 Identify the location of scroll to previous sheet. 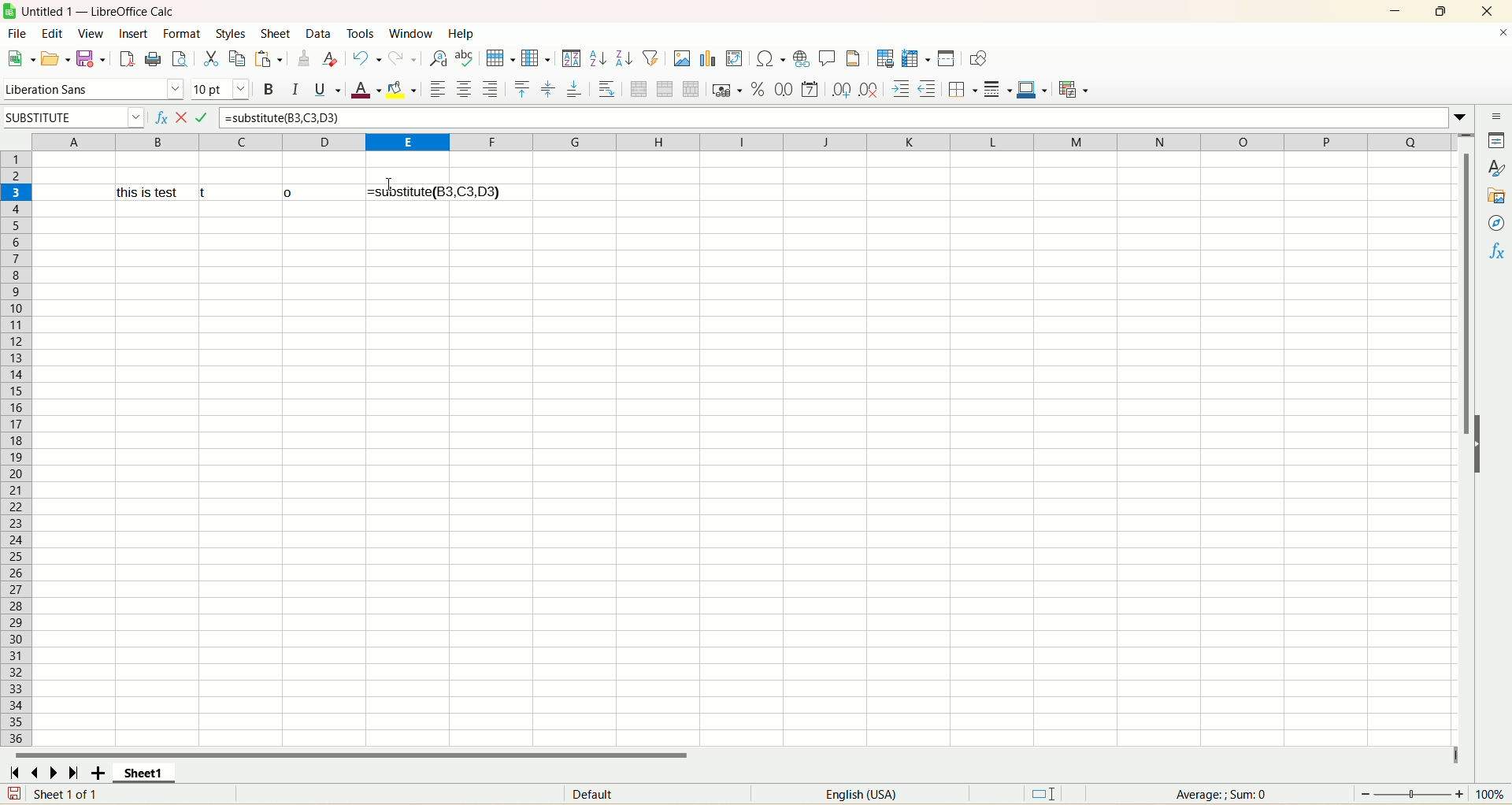
(40, 770).